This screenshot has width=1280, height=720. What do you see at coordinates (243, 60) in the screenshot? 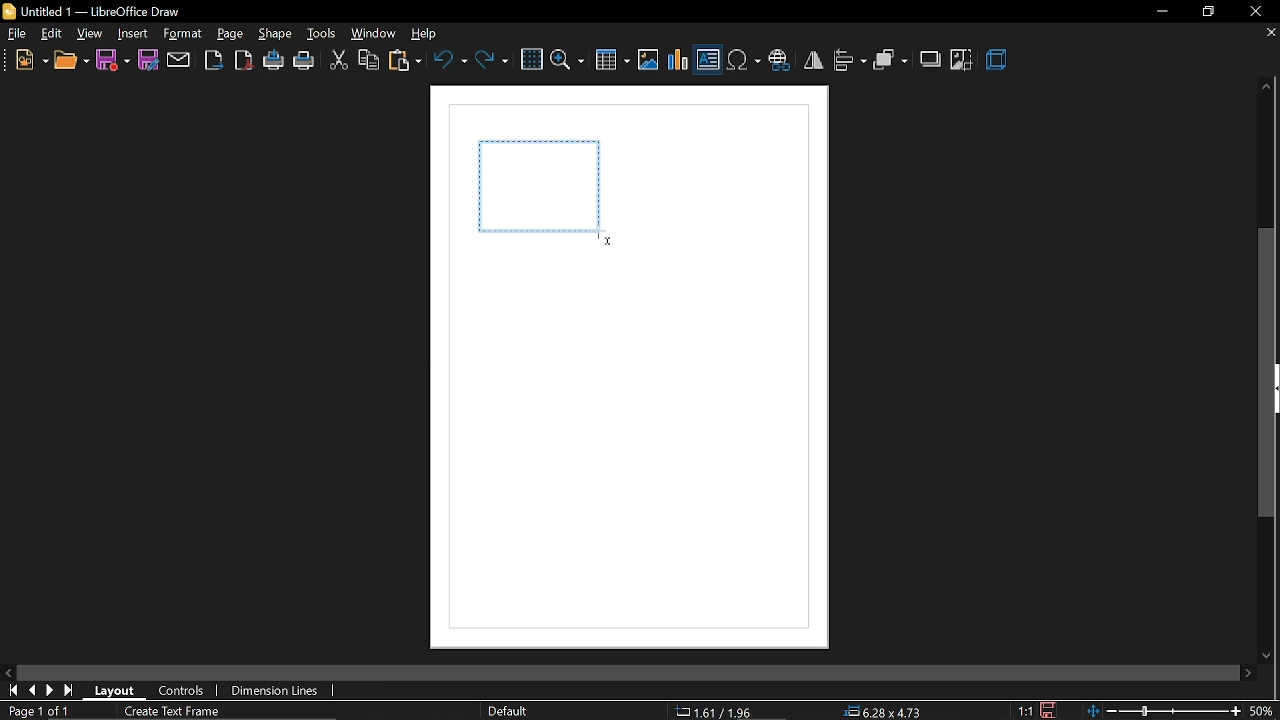
I see `export as pdf` at bounding box center [243, 60].